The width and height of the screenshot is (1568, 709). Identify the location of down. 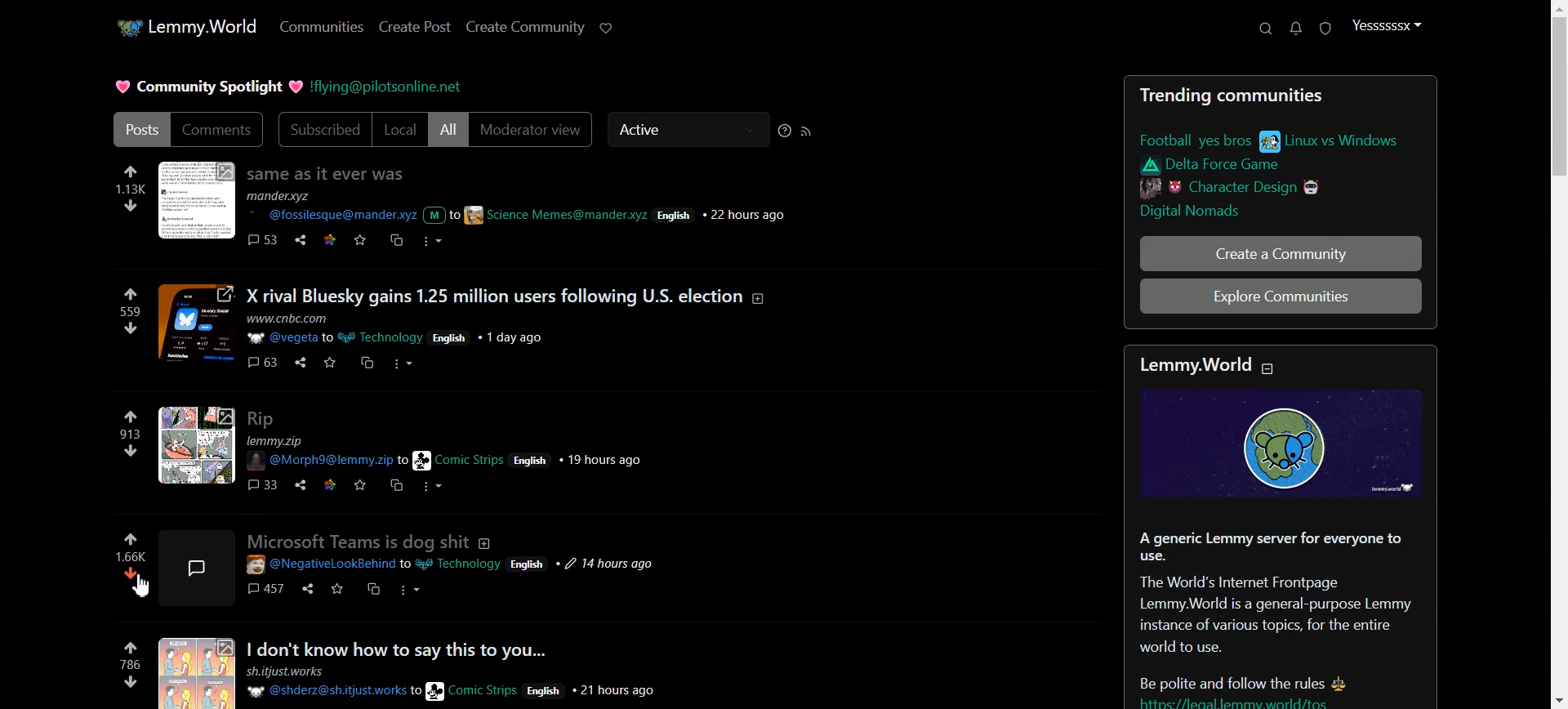
(131, 681).